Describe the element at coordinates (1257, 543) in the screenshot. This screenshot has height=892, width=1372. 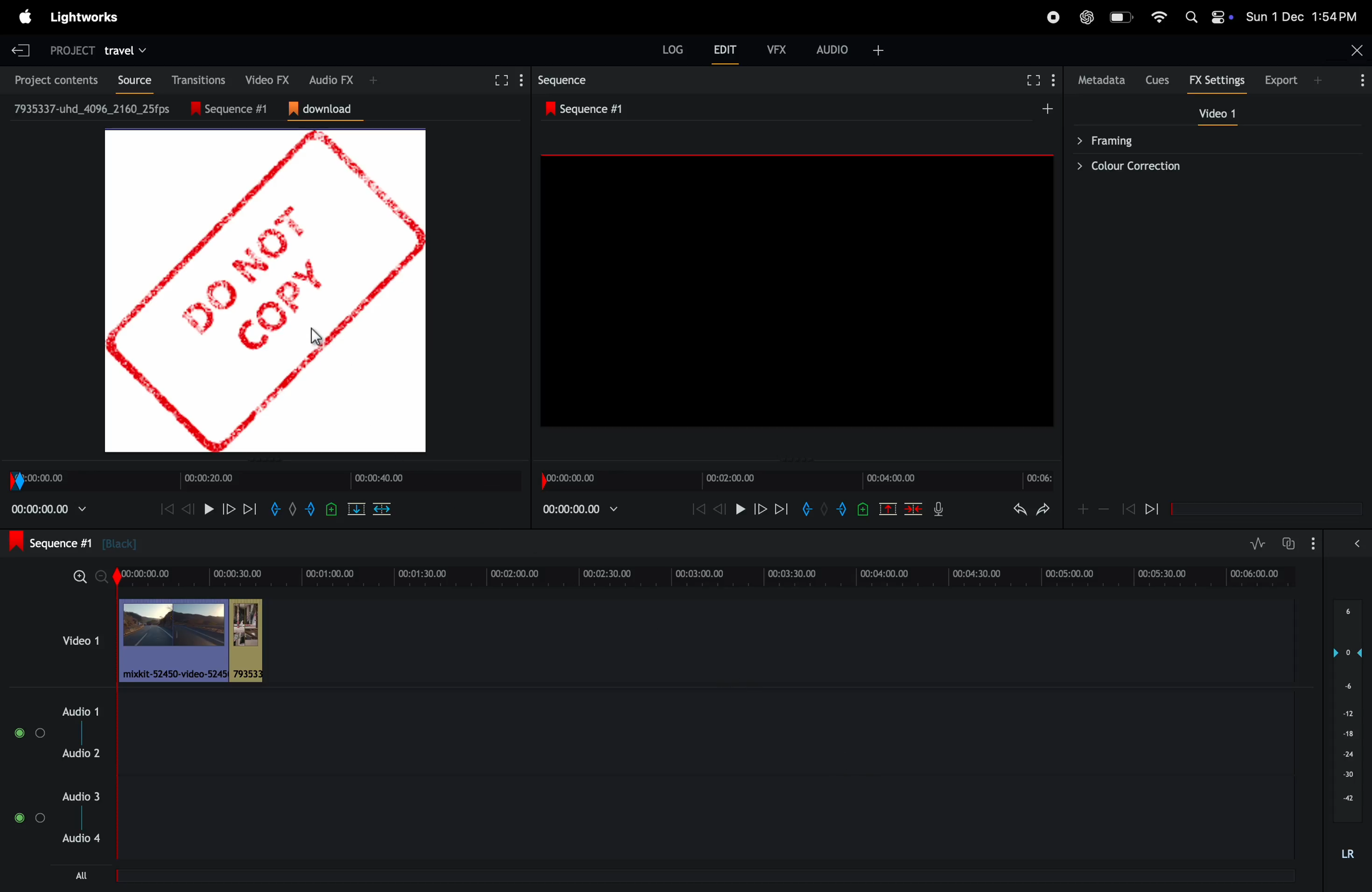
I see `toggle audio editing levels` at that location.